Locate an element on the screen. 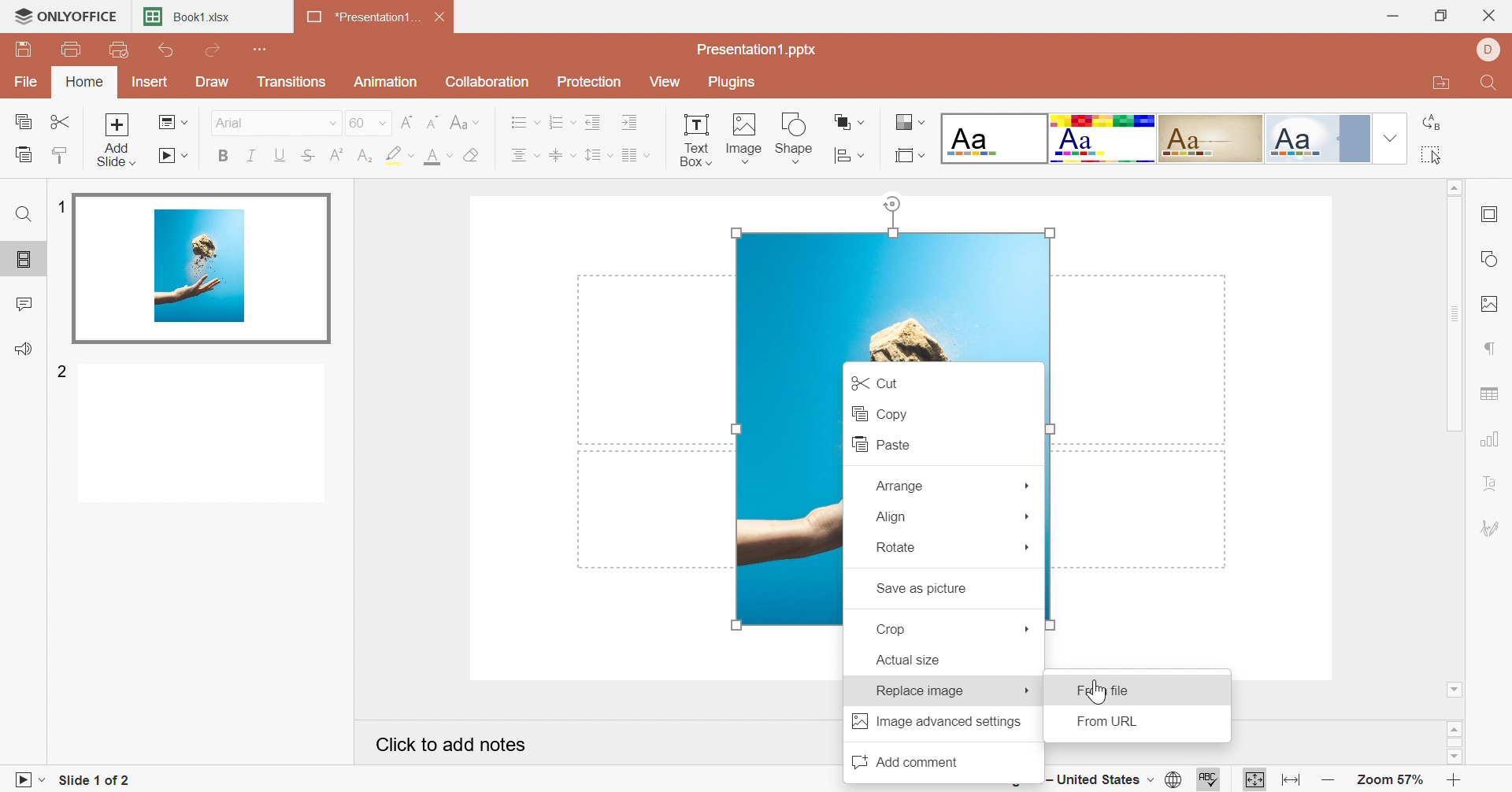 The image size is (1512, 792). Spell checking is located at coordinates (1204, 783).